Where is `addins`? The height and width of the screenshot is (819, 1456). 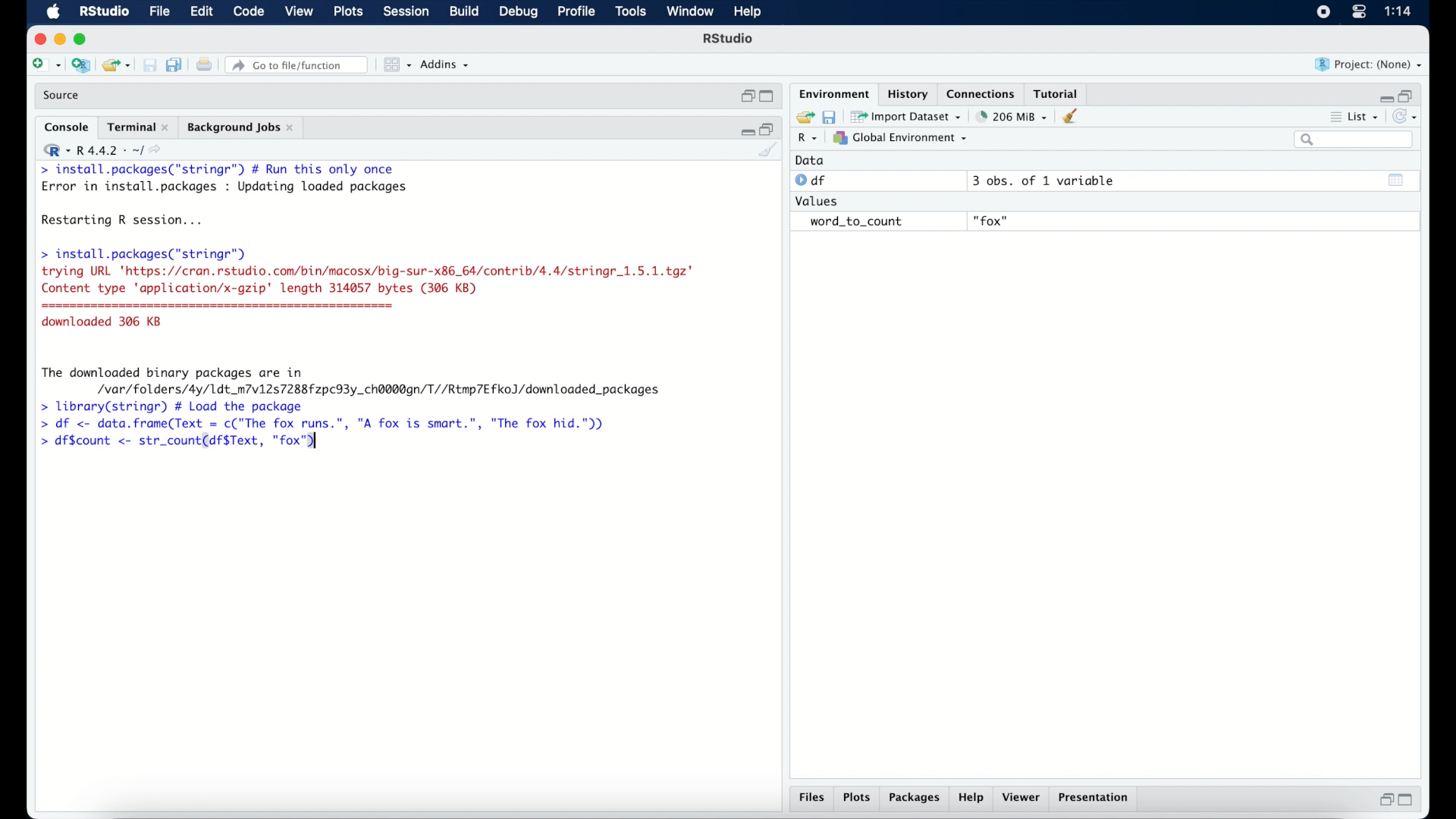 addins is located at coordinates (445, 64).